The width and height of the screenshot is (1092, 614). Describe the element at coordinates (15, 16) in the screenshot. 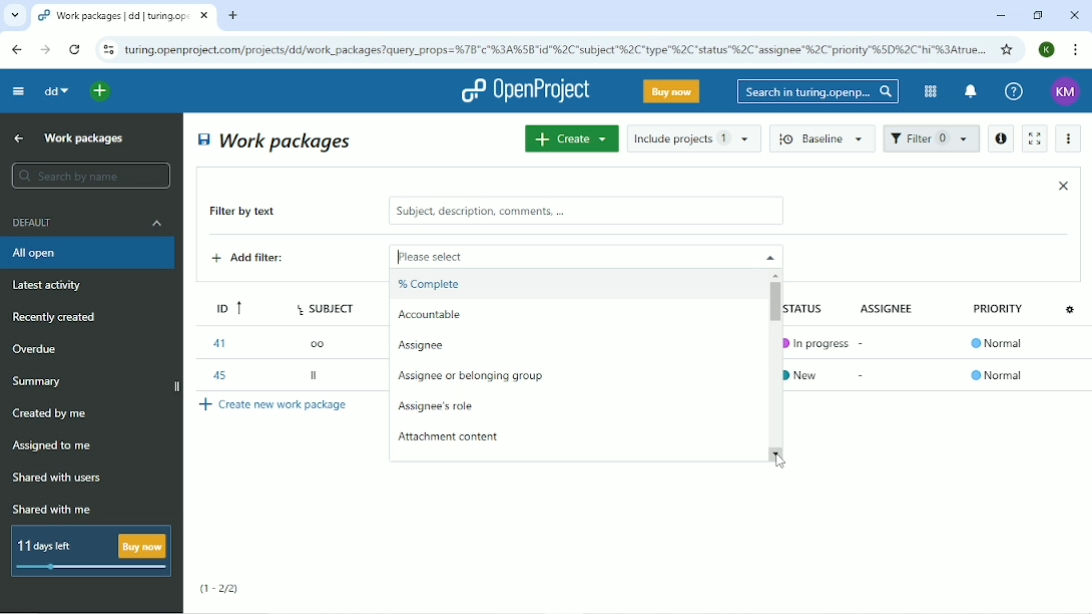

I see `Search tabs` at that location.